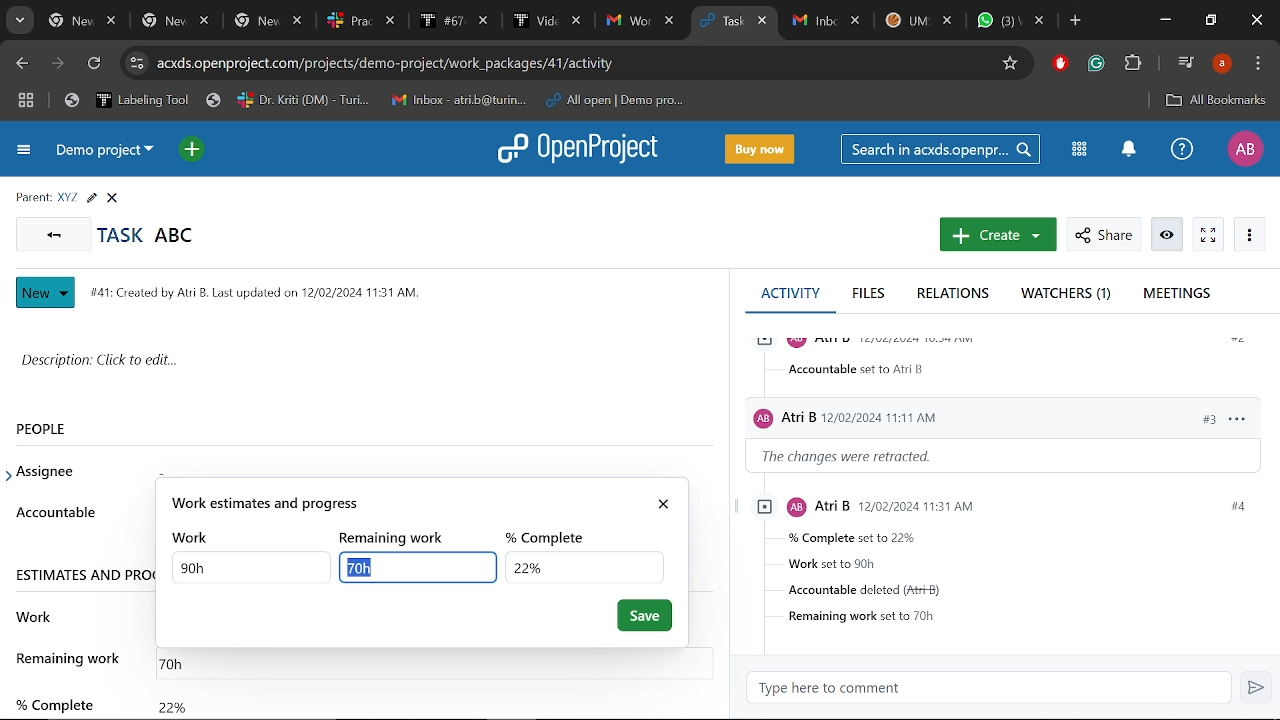 This screenshot has height=720, width=1280. What do you see at coordinates (571, 62) in the screenshot?
I see `CIte address` at bounding box center [571, 62].